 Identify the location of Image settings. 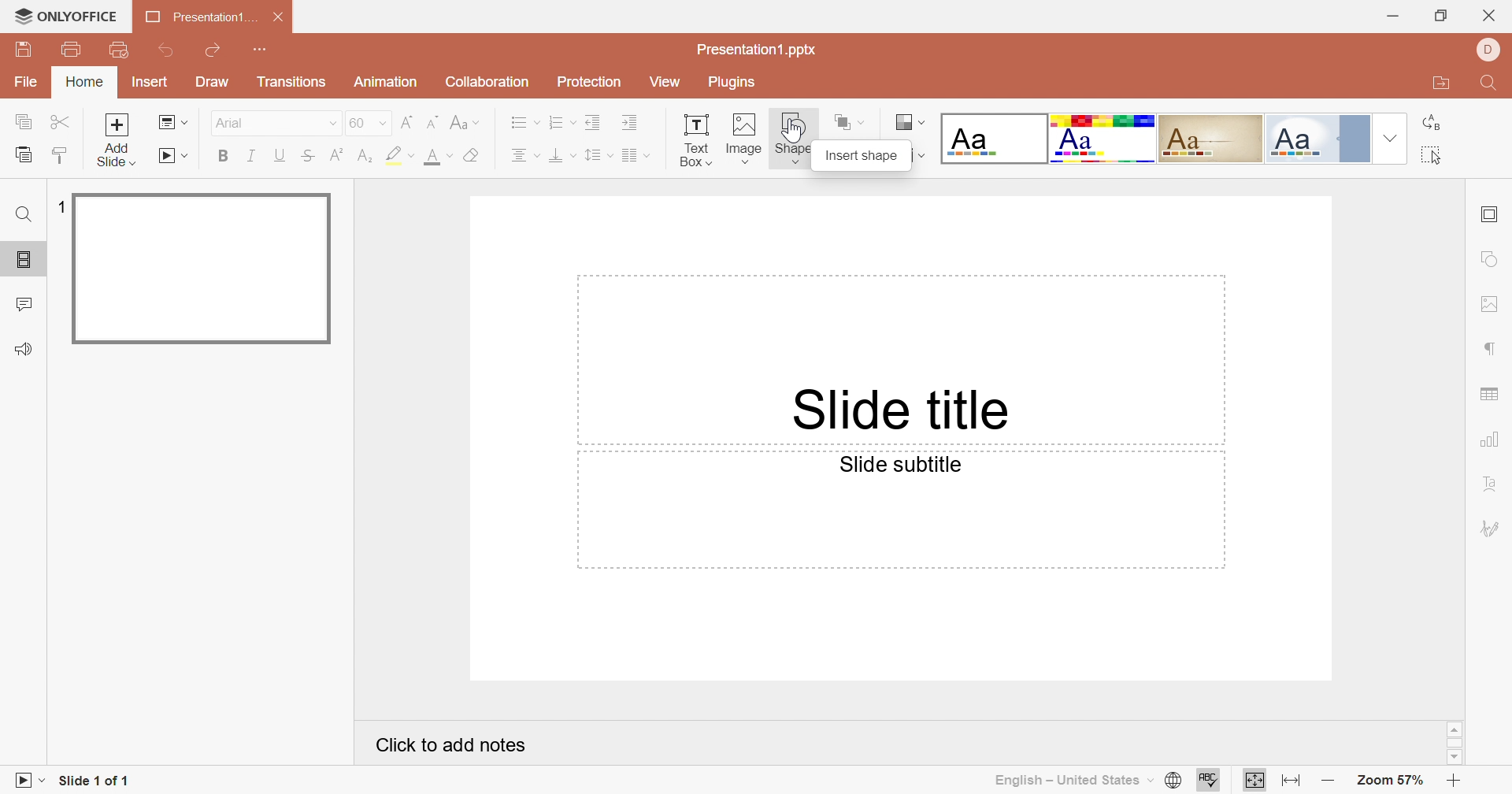
(1491, 304).